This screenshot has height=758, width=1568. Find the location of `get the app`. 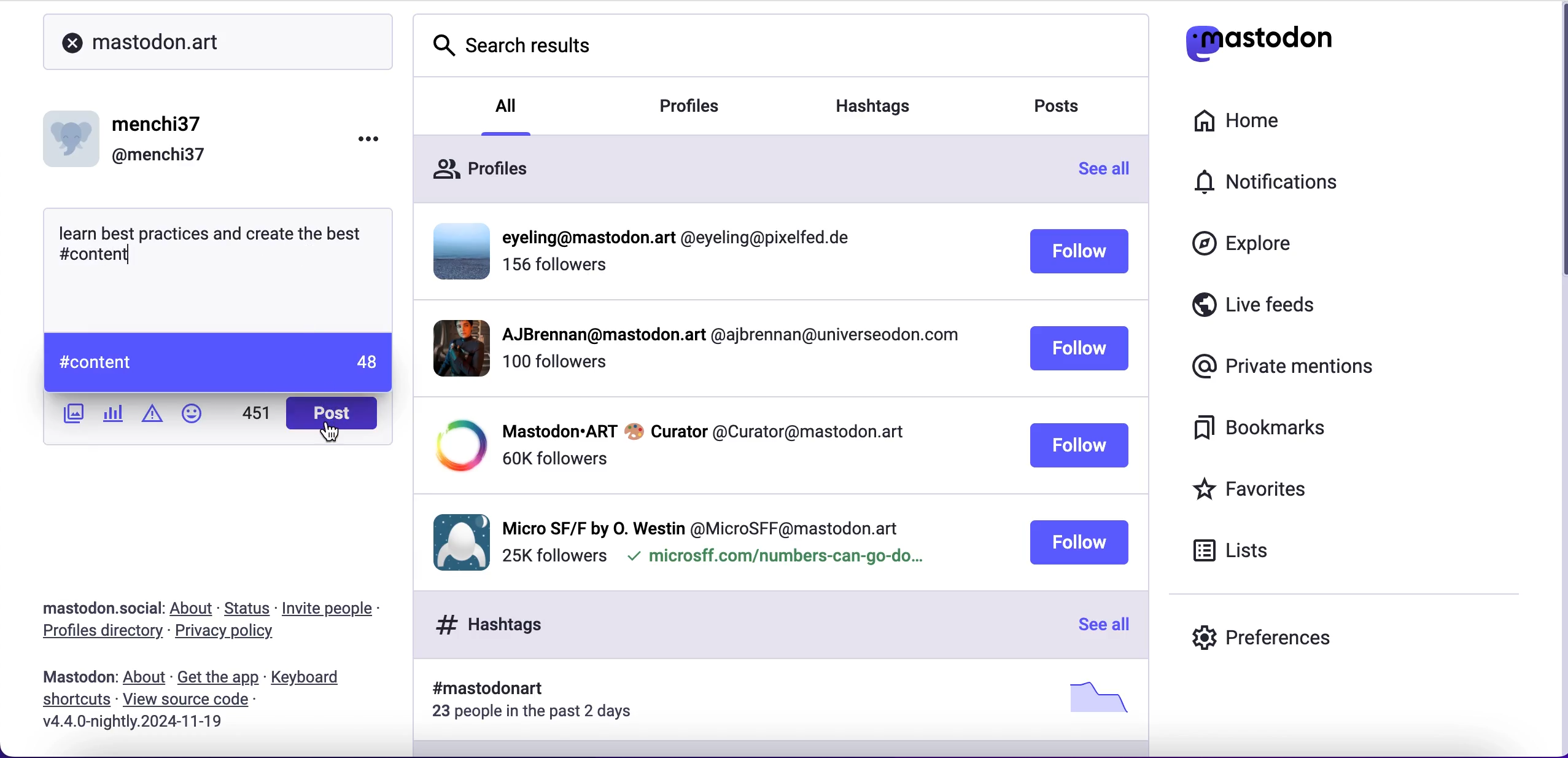

get the app is located at coordinates (217, 678).